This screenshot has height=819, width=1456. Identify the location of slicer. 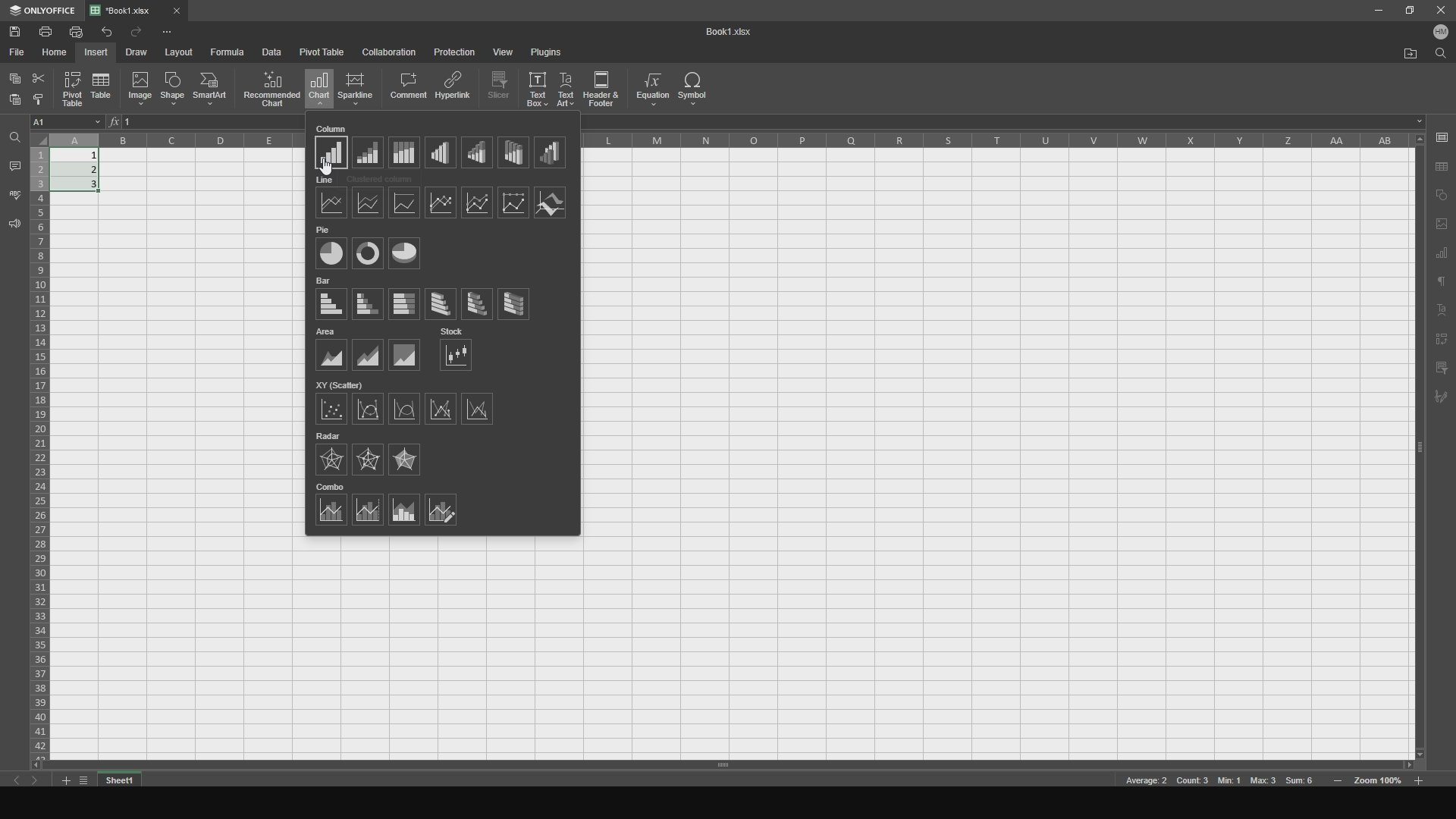
(499, 88).